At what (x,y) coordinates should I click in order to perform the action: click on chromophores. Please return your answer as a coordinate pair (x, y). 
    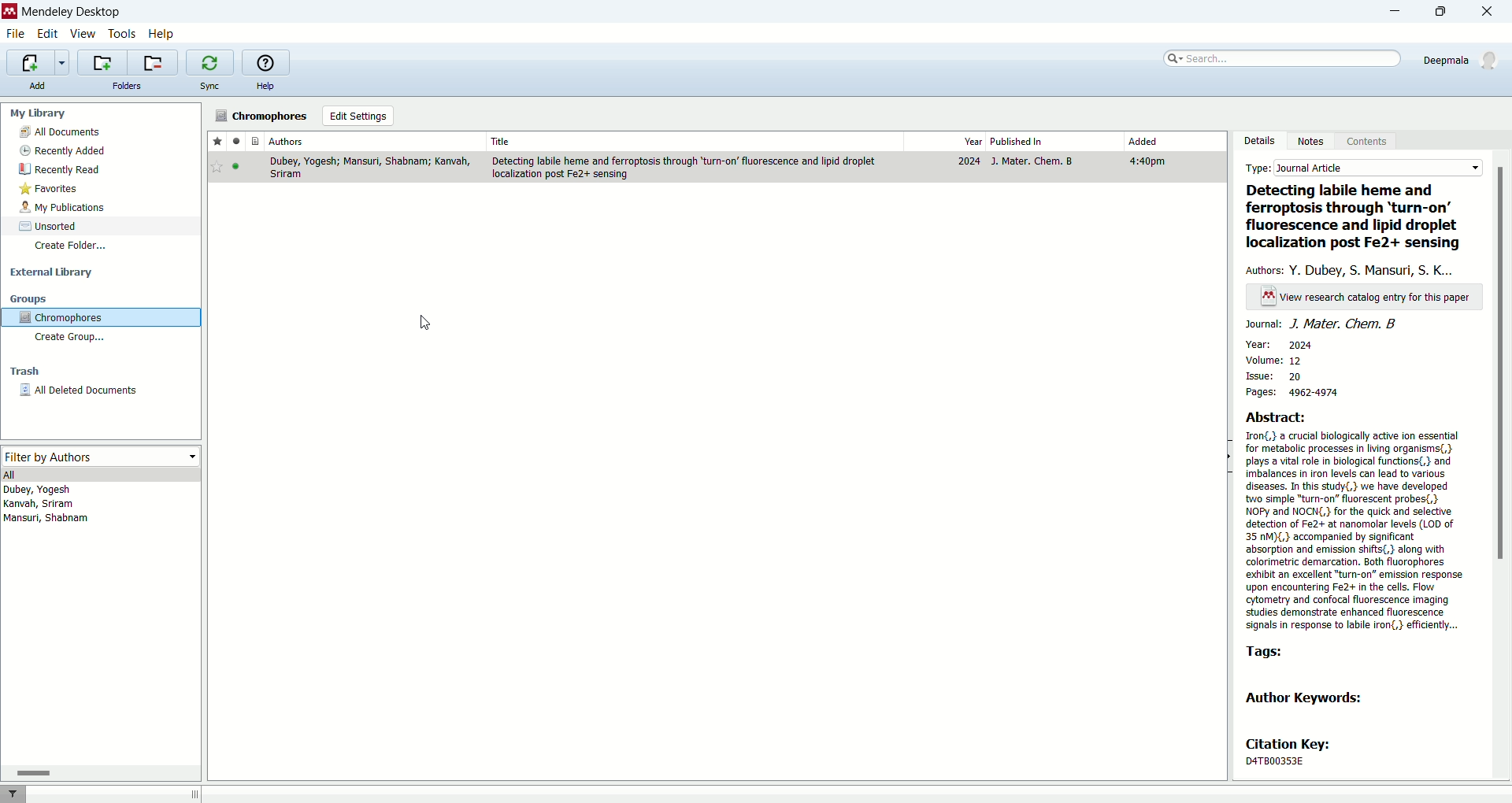
    Looking at the image, I should click on (100, 320).